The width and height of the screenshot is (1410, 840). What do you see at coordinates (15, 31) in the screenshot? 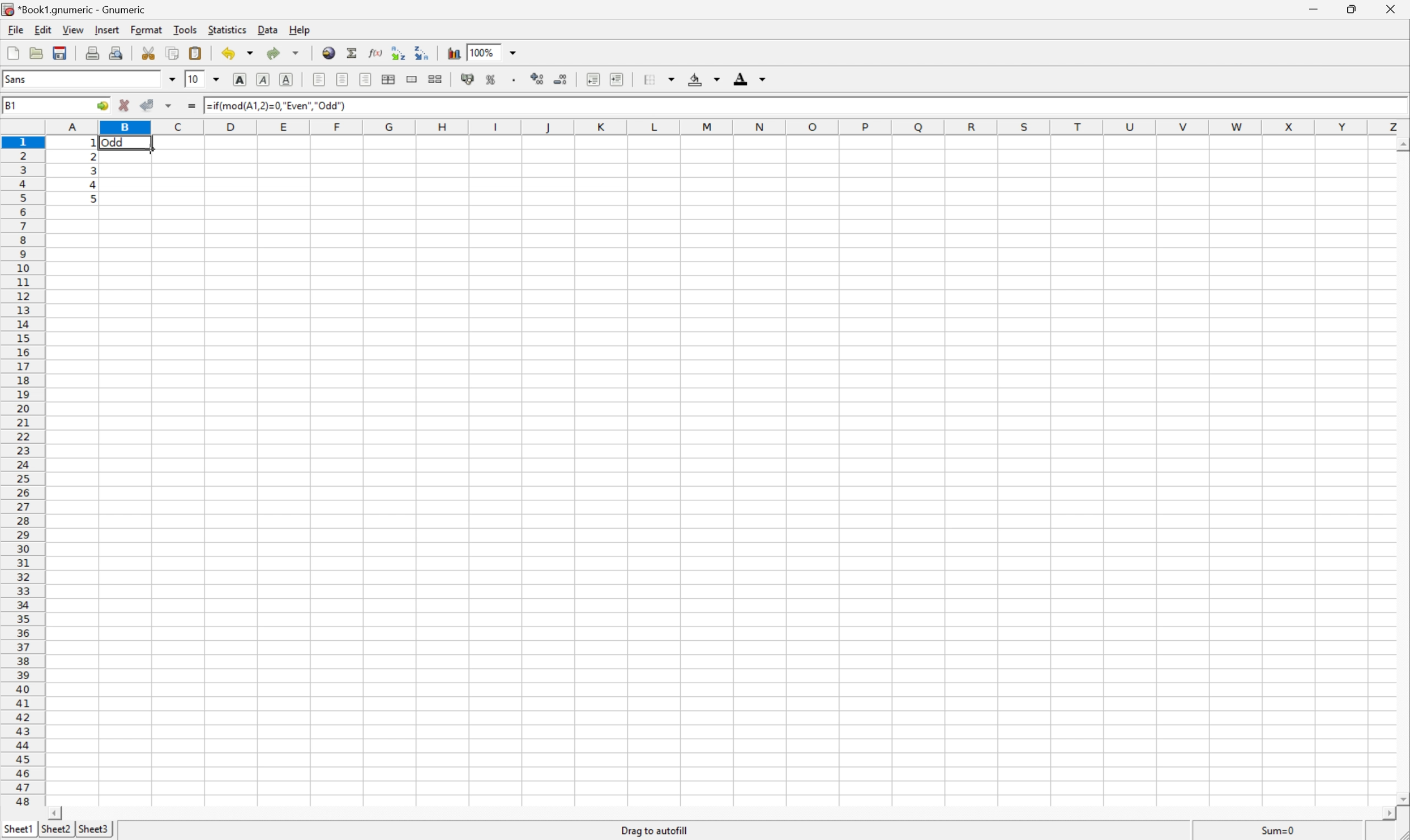
I see `File` at bounding box center [15, 31].